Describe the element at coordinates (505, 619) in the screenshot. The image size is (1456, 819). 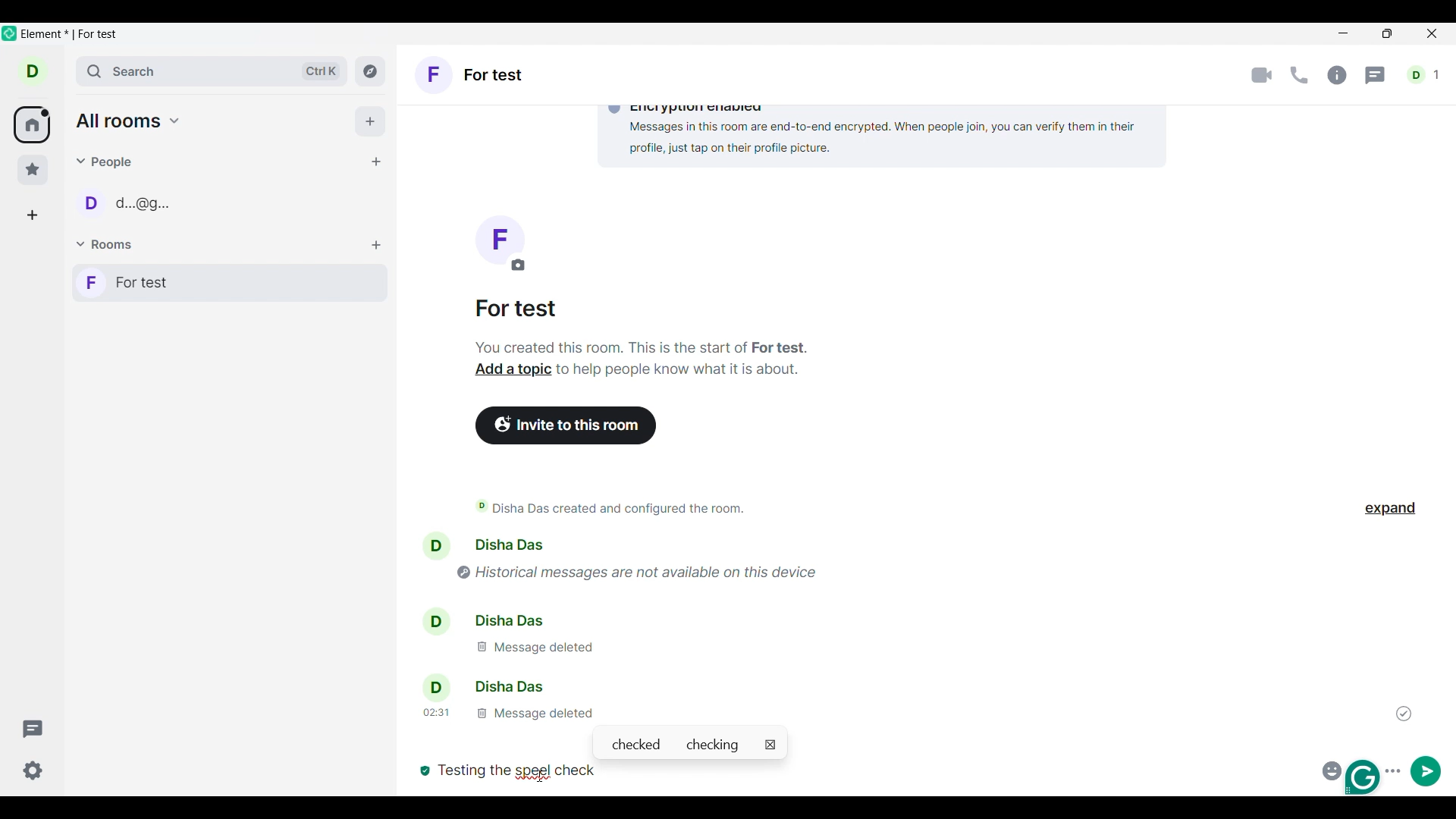
I see `disha das` at that location.